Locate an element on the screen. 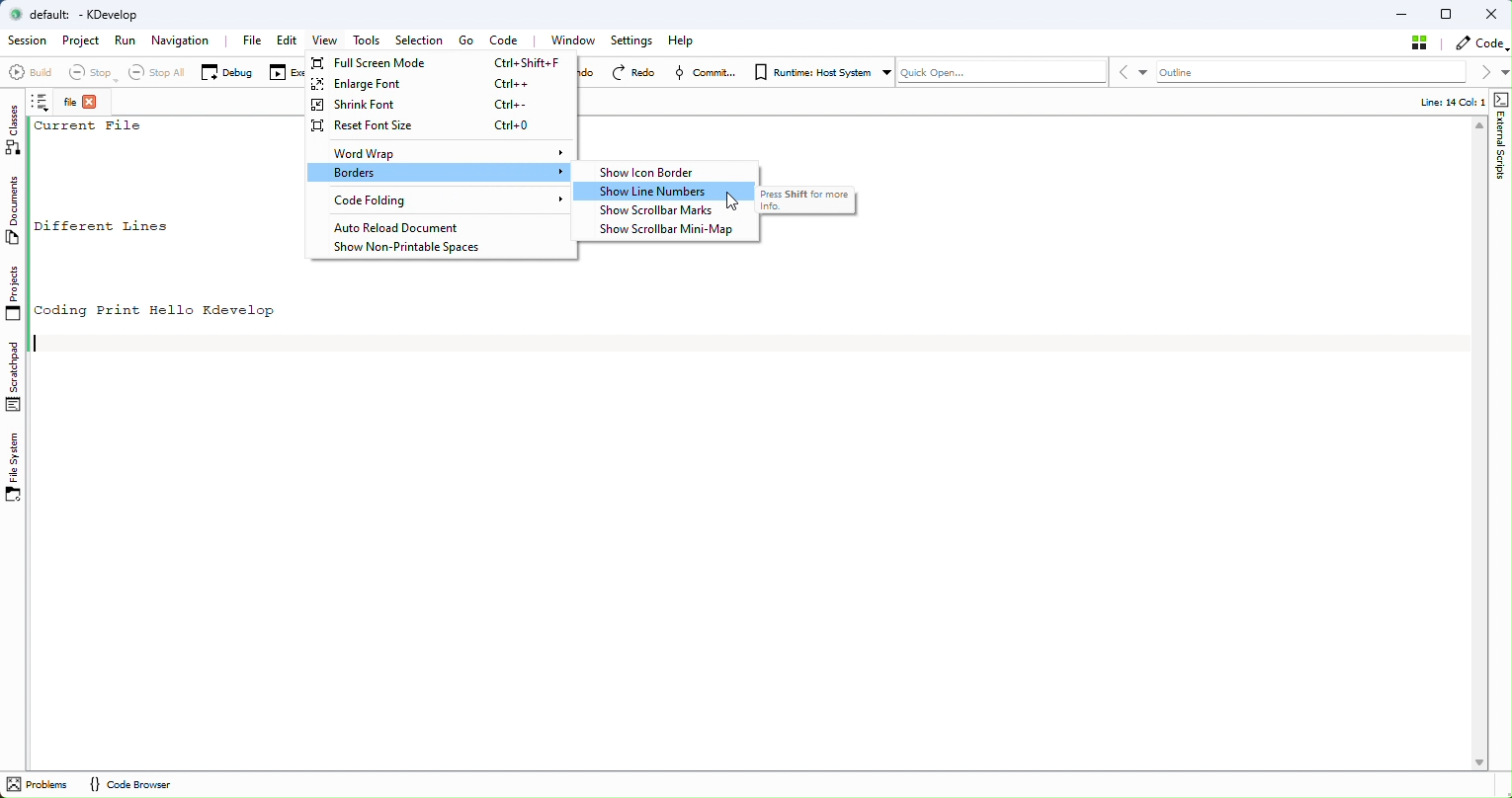 The height and width of the screenshot is (798, 1512). Minimap is located at coordinates (672, 231).